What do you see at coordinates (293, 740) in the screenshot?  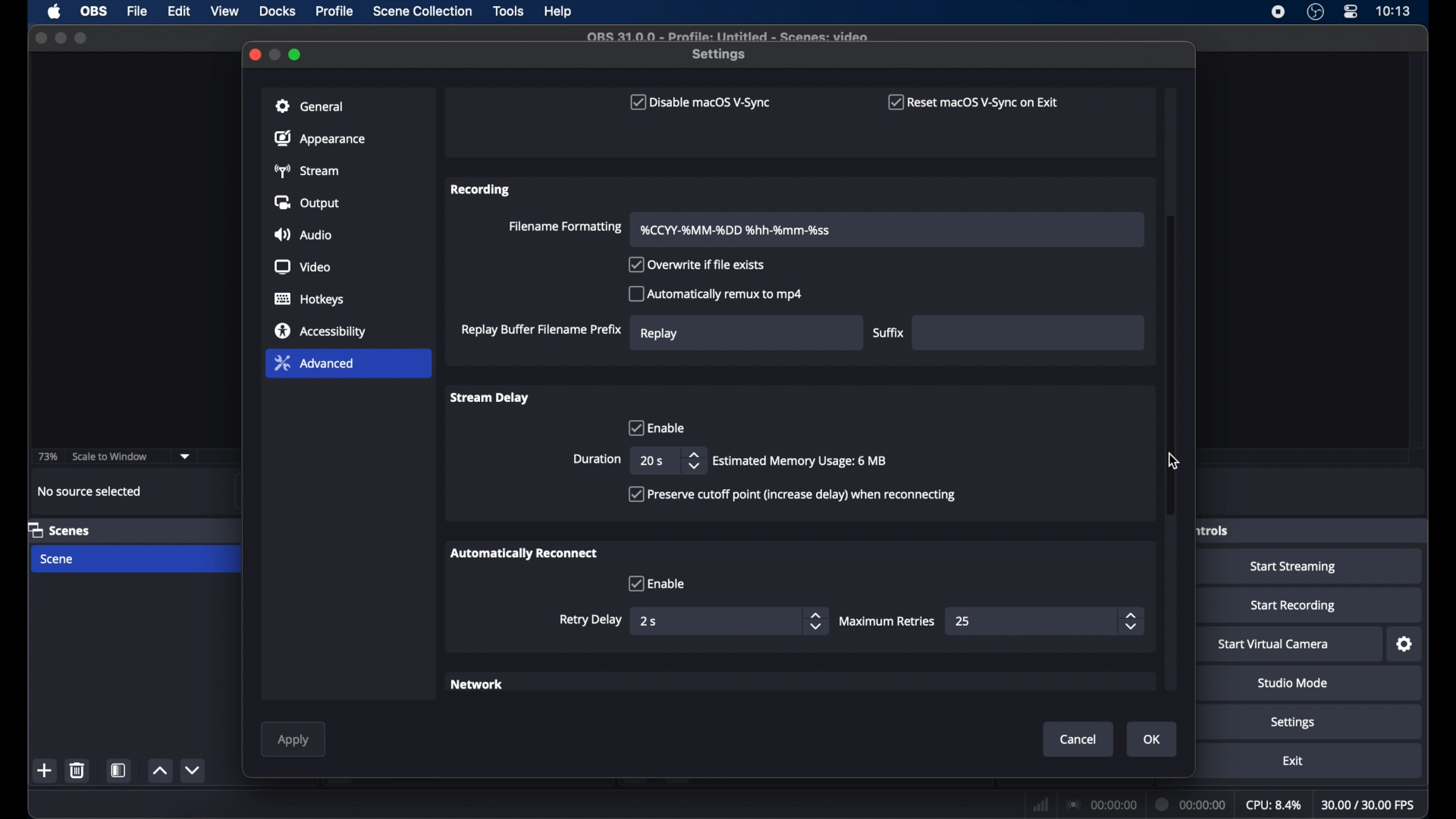 I see `apply ` at bounding box center [293, 740].